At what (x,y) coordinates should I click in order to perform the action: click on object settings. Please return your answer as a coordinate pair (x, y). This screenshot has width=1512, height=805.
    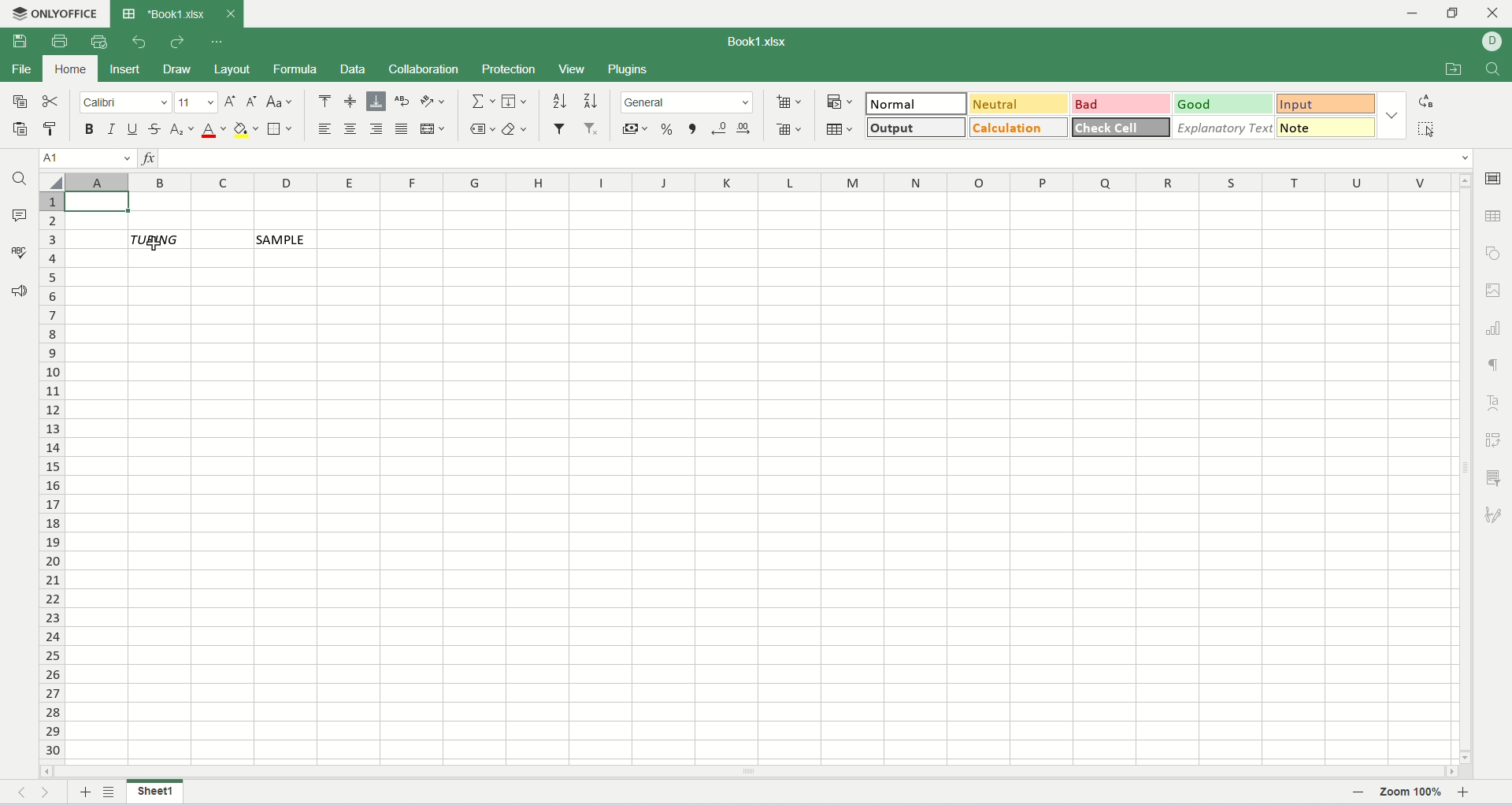
    Looking at the image, I should click on (1496, 253).